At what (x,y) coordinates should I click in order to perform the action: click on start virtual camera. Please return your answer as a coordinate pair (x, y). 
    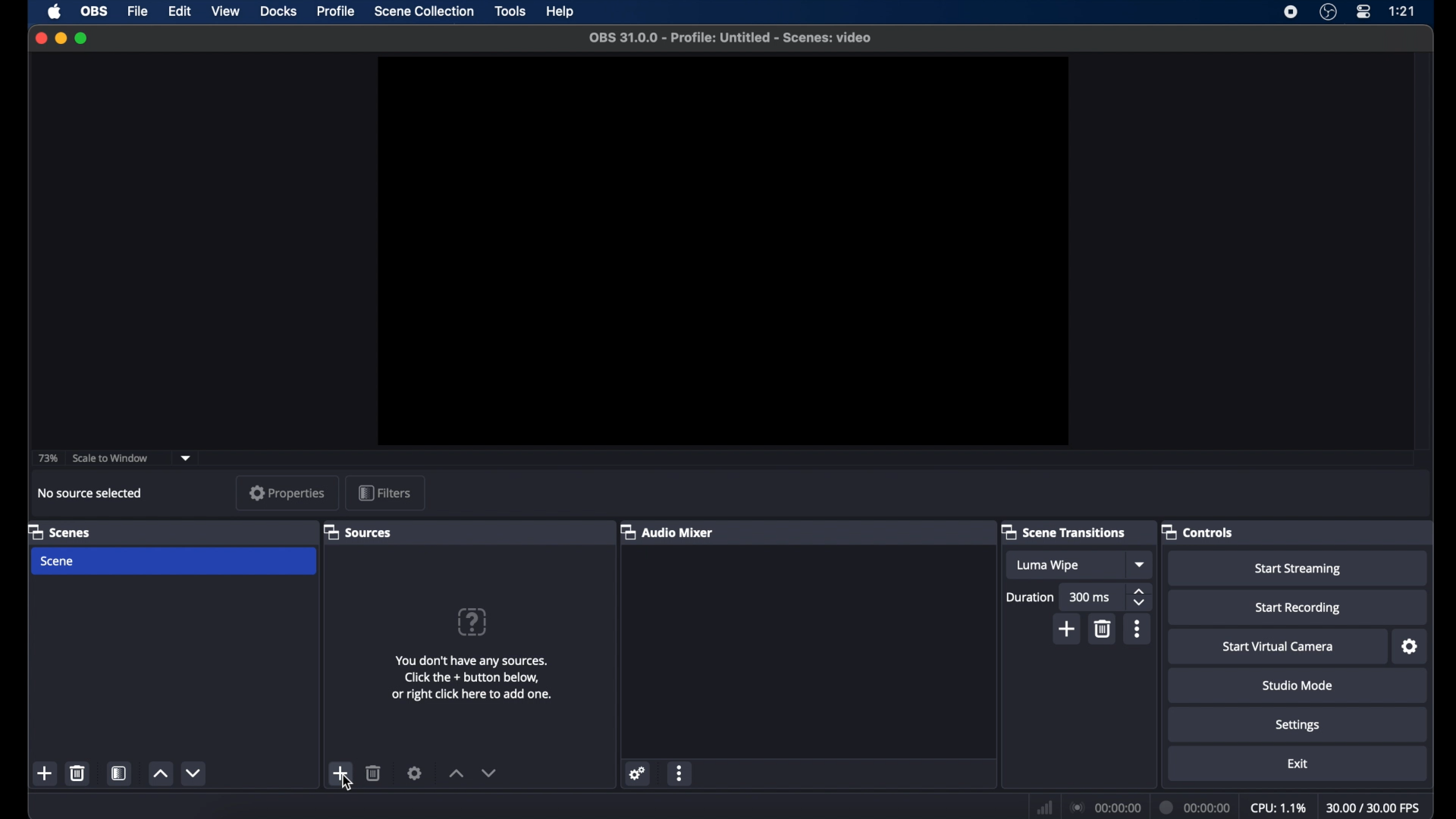
    Looking at the image, I should click on (1275, 645).